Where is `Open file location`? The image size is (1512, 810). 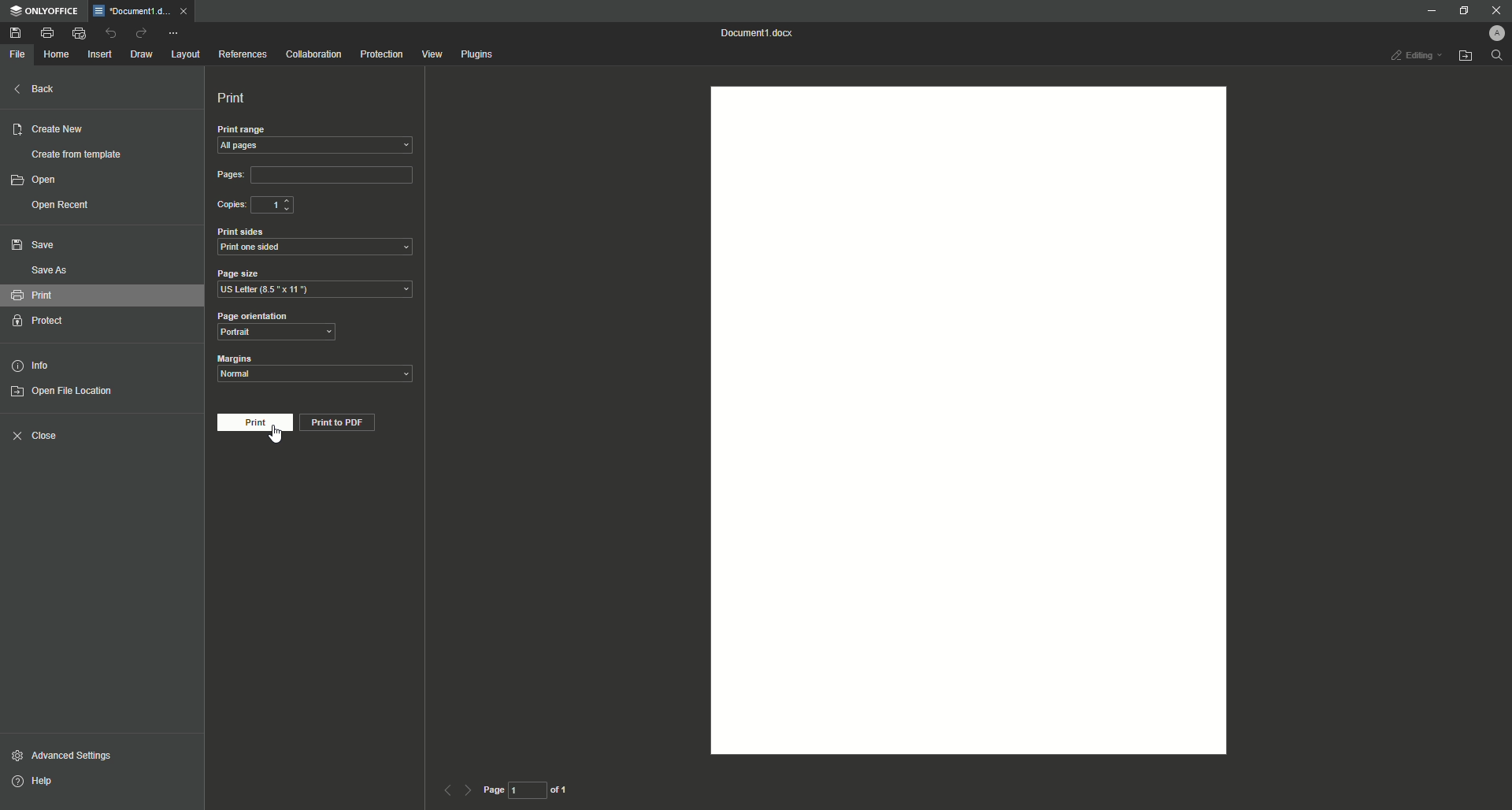 Open file location is located at coordinates (65, 393).